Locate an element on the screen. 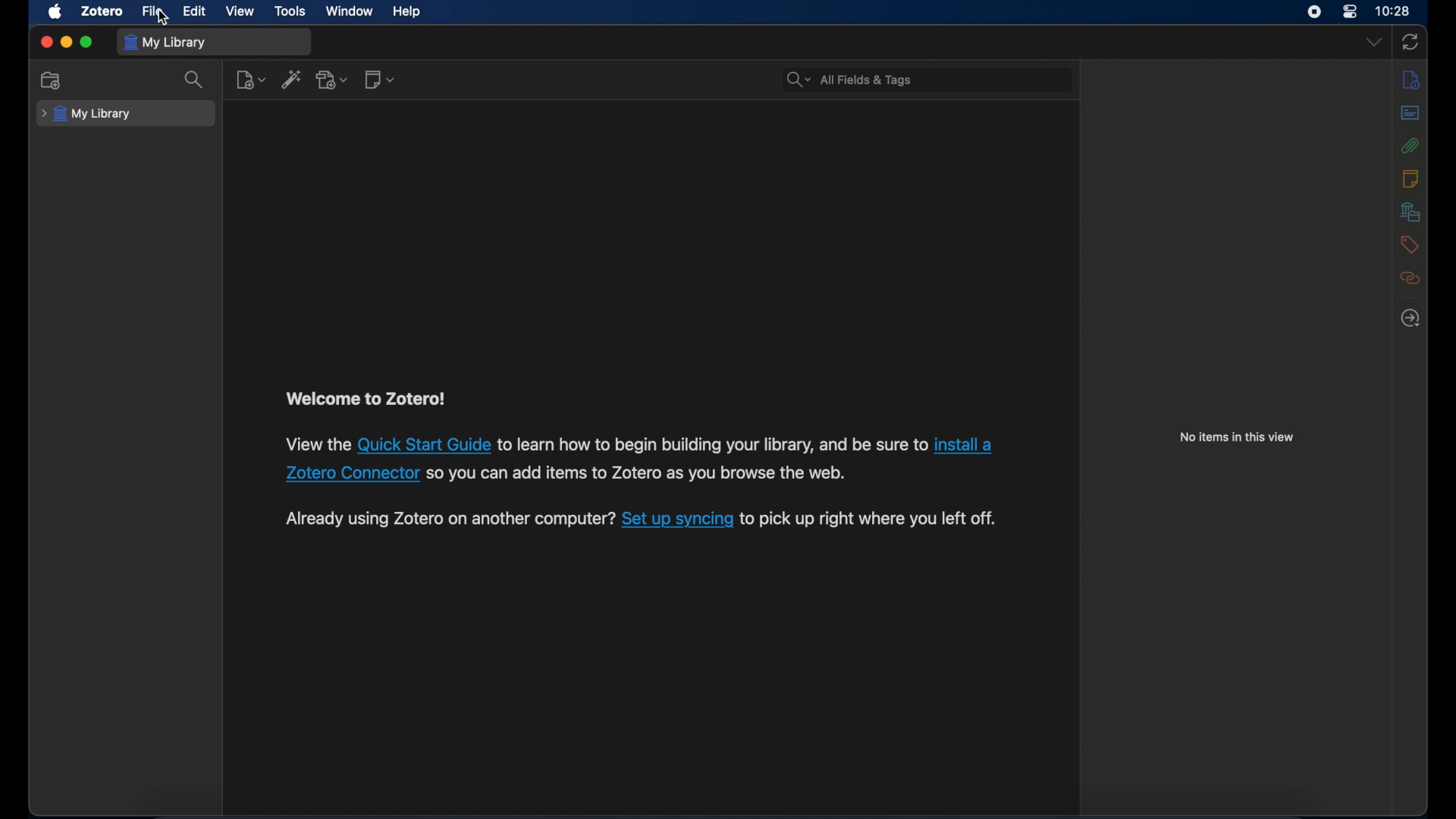 This screenshot has width=1456, height=819. my library is located at coordinates (165, 43).